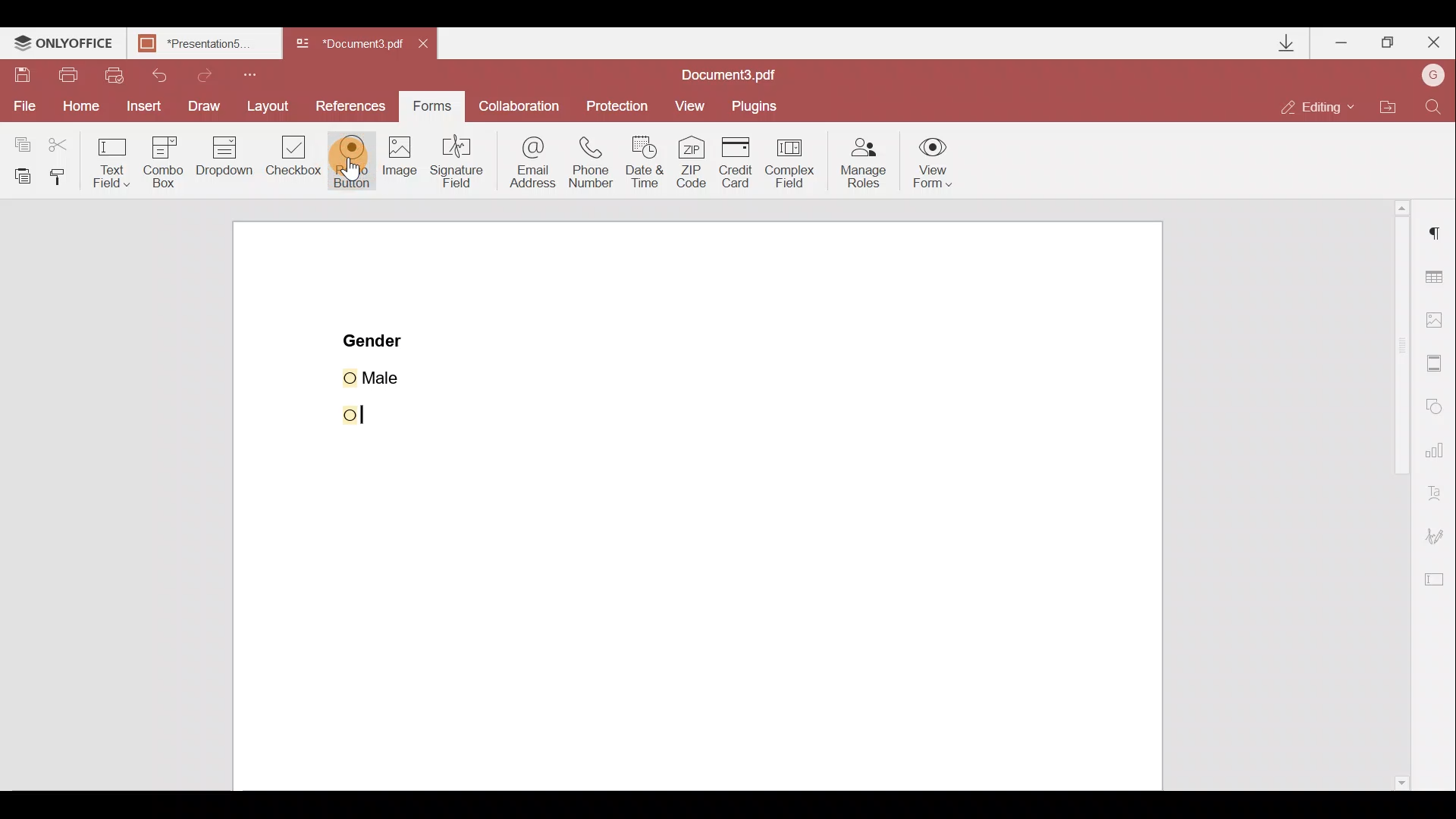 The height and width of the screenshot is (819, 1456). Describe the element at coordinates (21, 107) in the screenshot. I see `File` at that location.